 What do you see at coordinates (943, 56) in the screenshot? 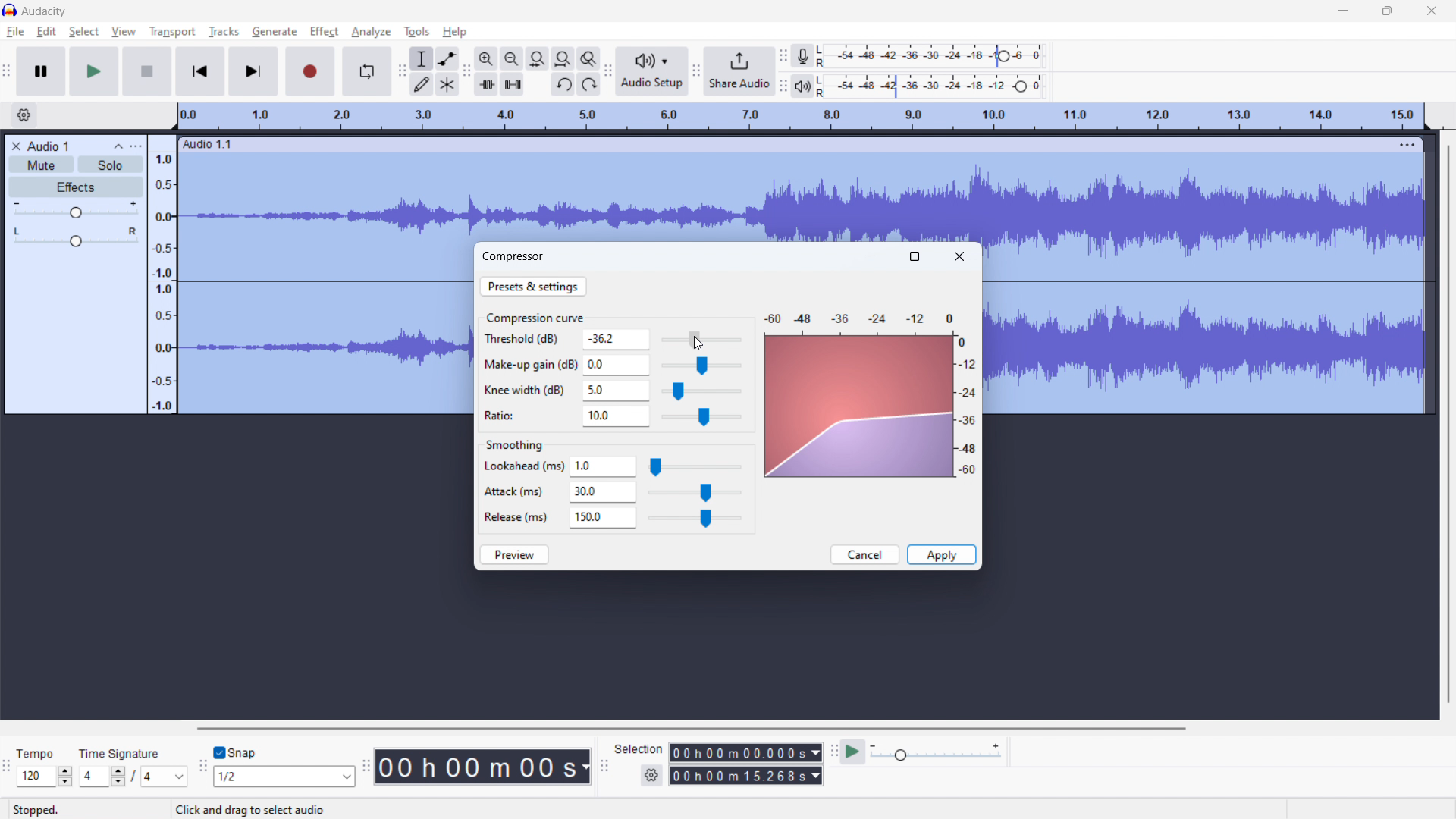
I see `record level` at bounding box center [943, 56].